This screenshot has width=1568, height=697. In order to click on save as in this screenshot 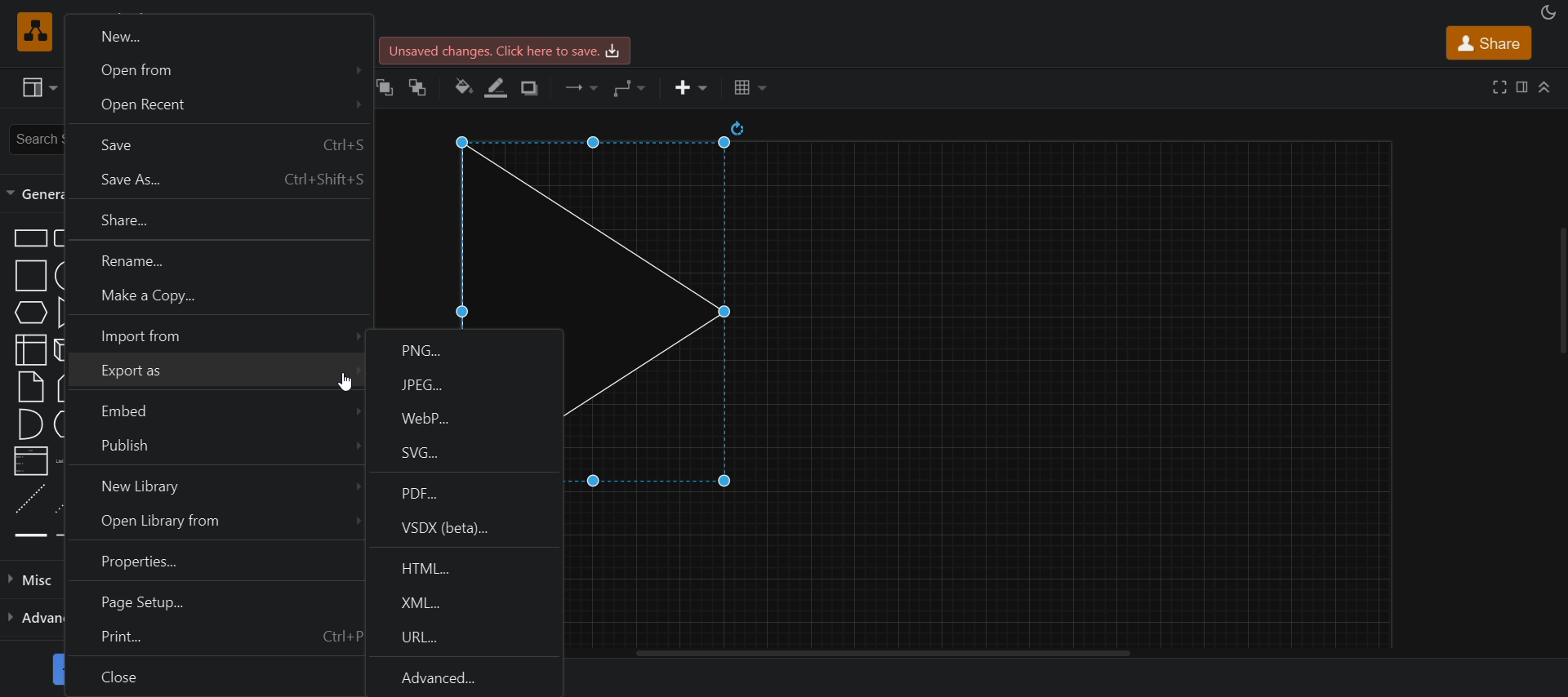, I will do `click(214, 180)`.